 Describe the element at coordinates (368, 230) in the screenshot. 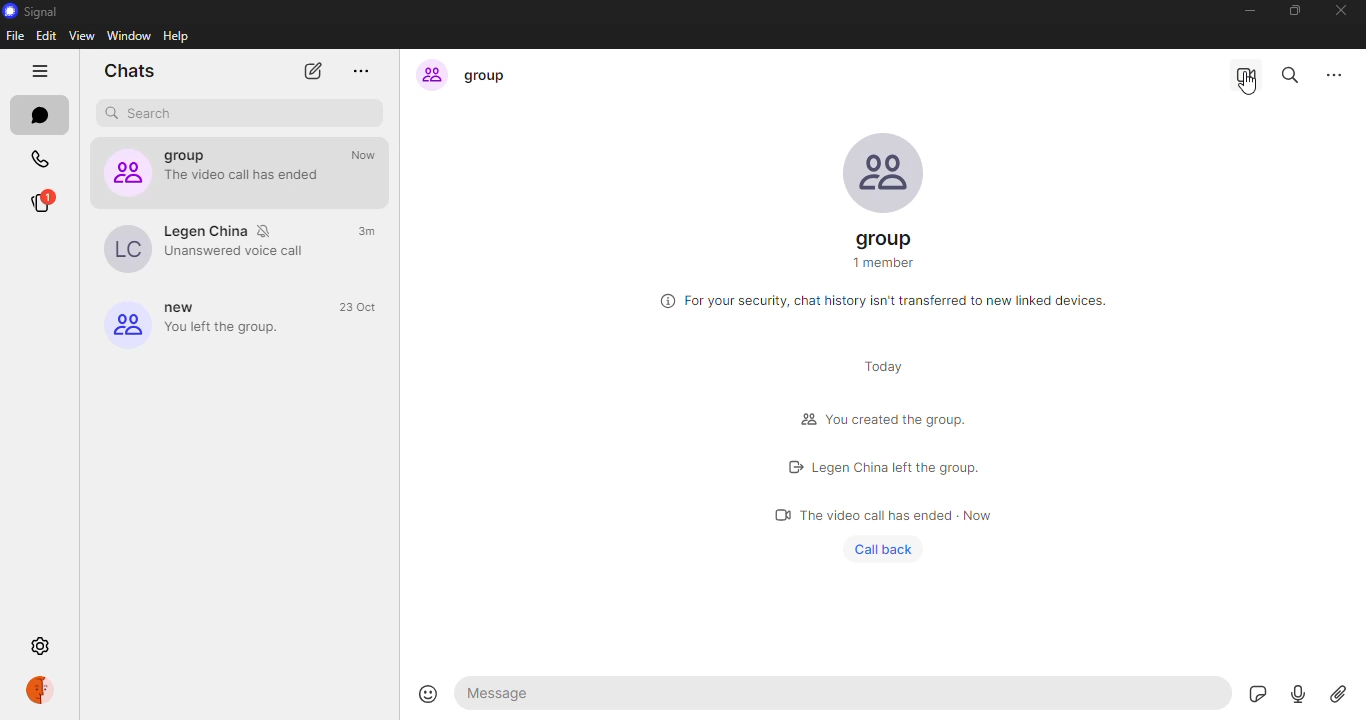

I see `time` at that location.